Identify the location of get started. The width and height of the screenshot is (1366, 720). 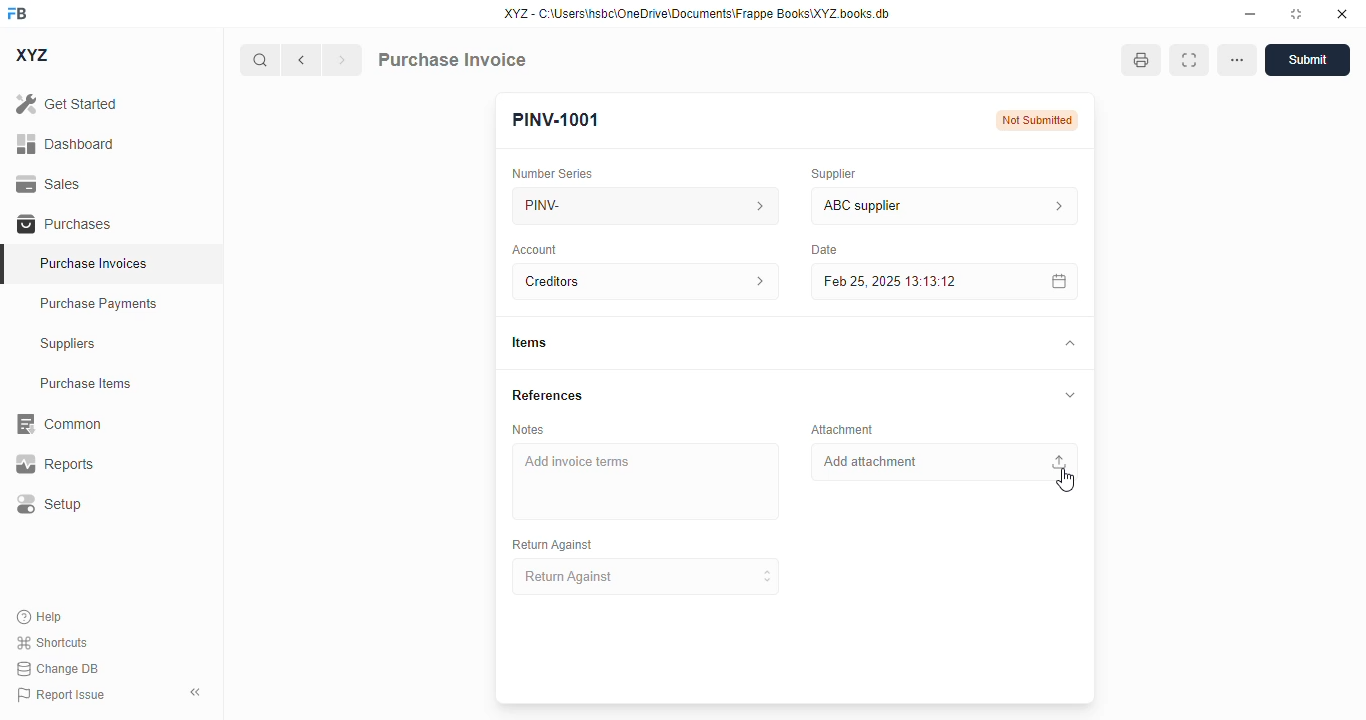
(68, 103).